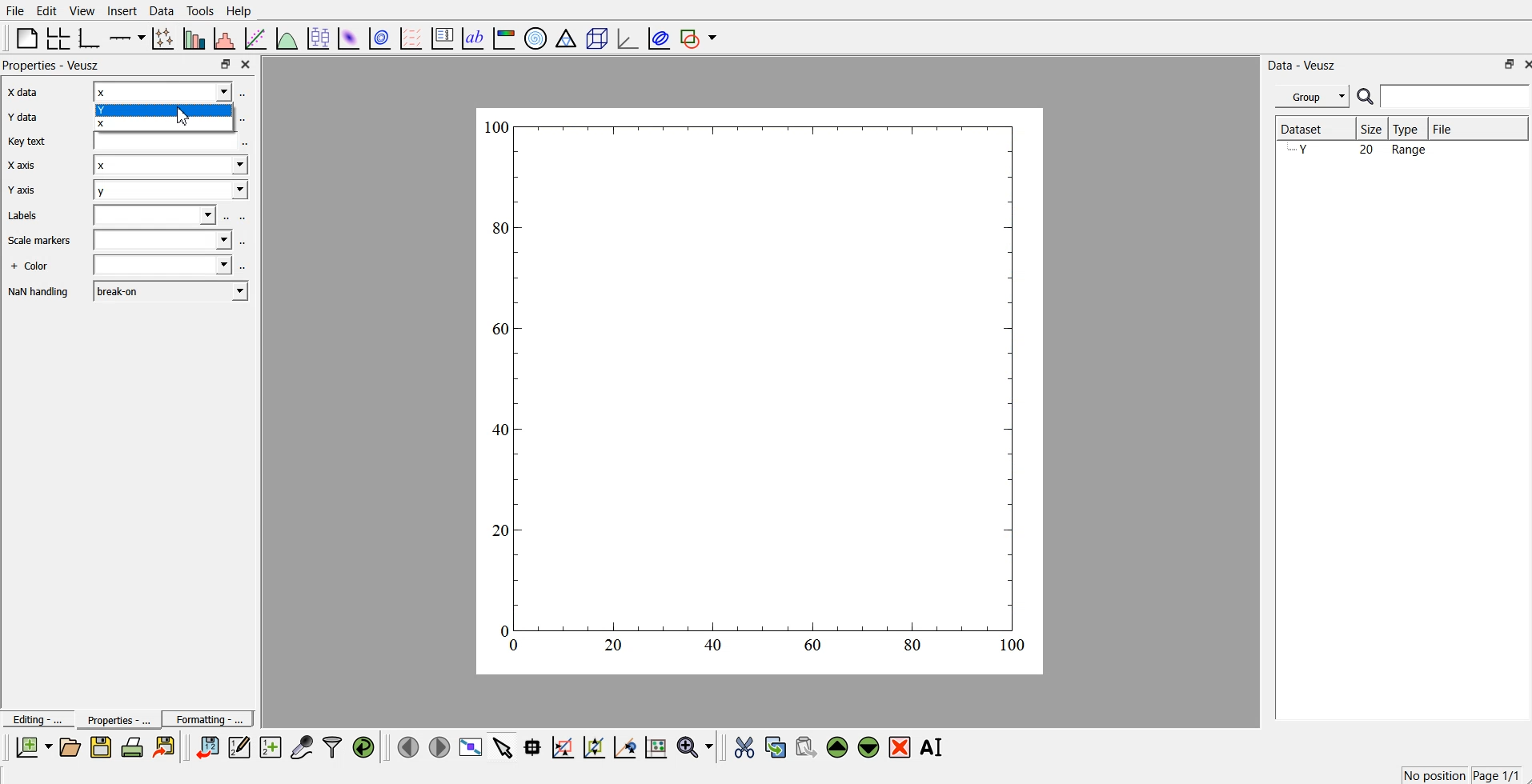 Image resolution: width=1532 pixels, height=784 pixels. I want to click on breakon, so click(173, 291).